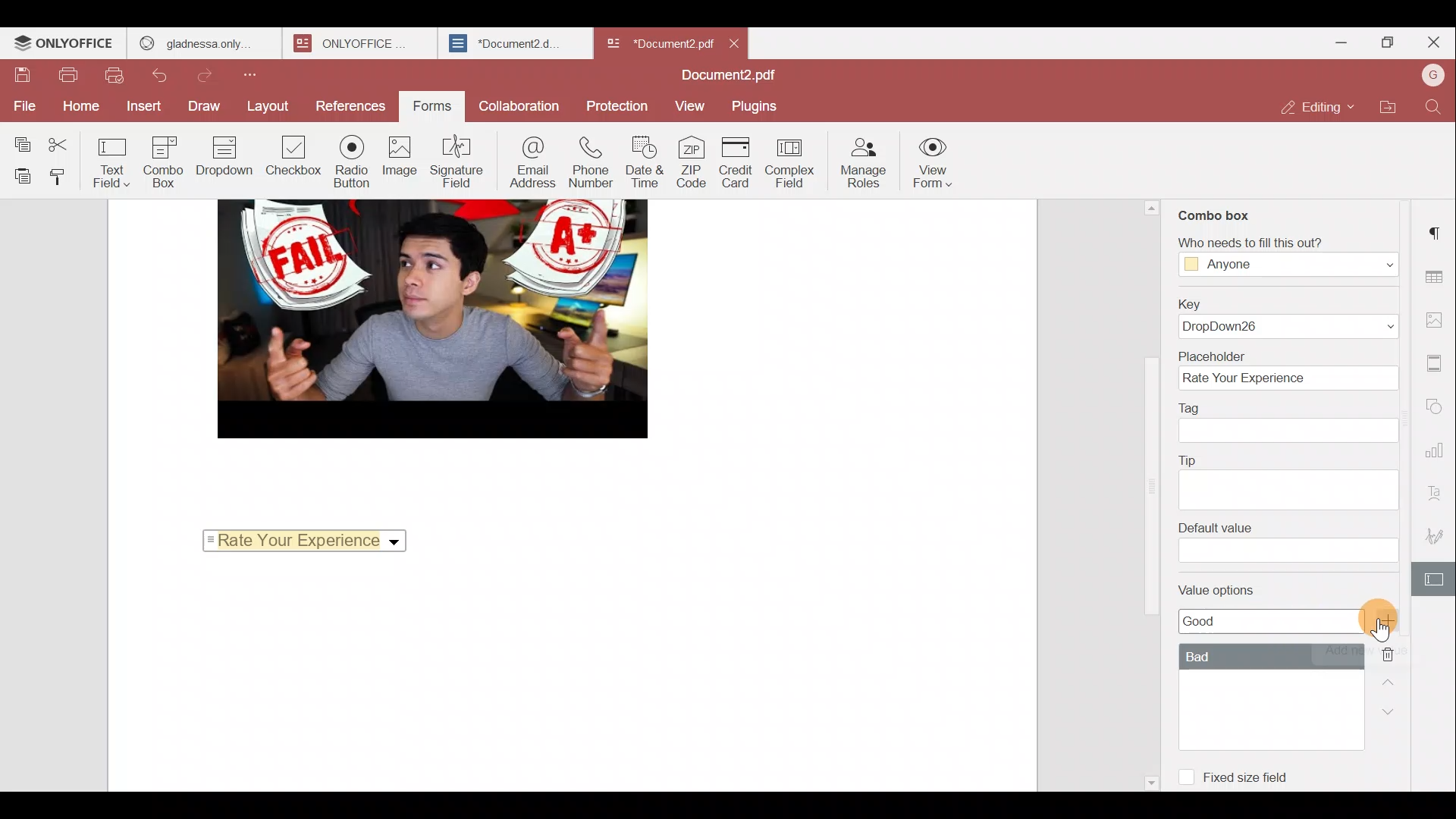 Image resolution: width=1456 pixels, height=819 pixels. What do you see at coordinates (1288, 316) in the screenshot?
I see `Key` at bounding box center [1288, 316].